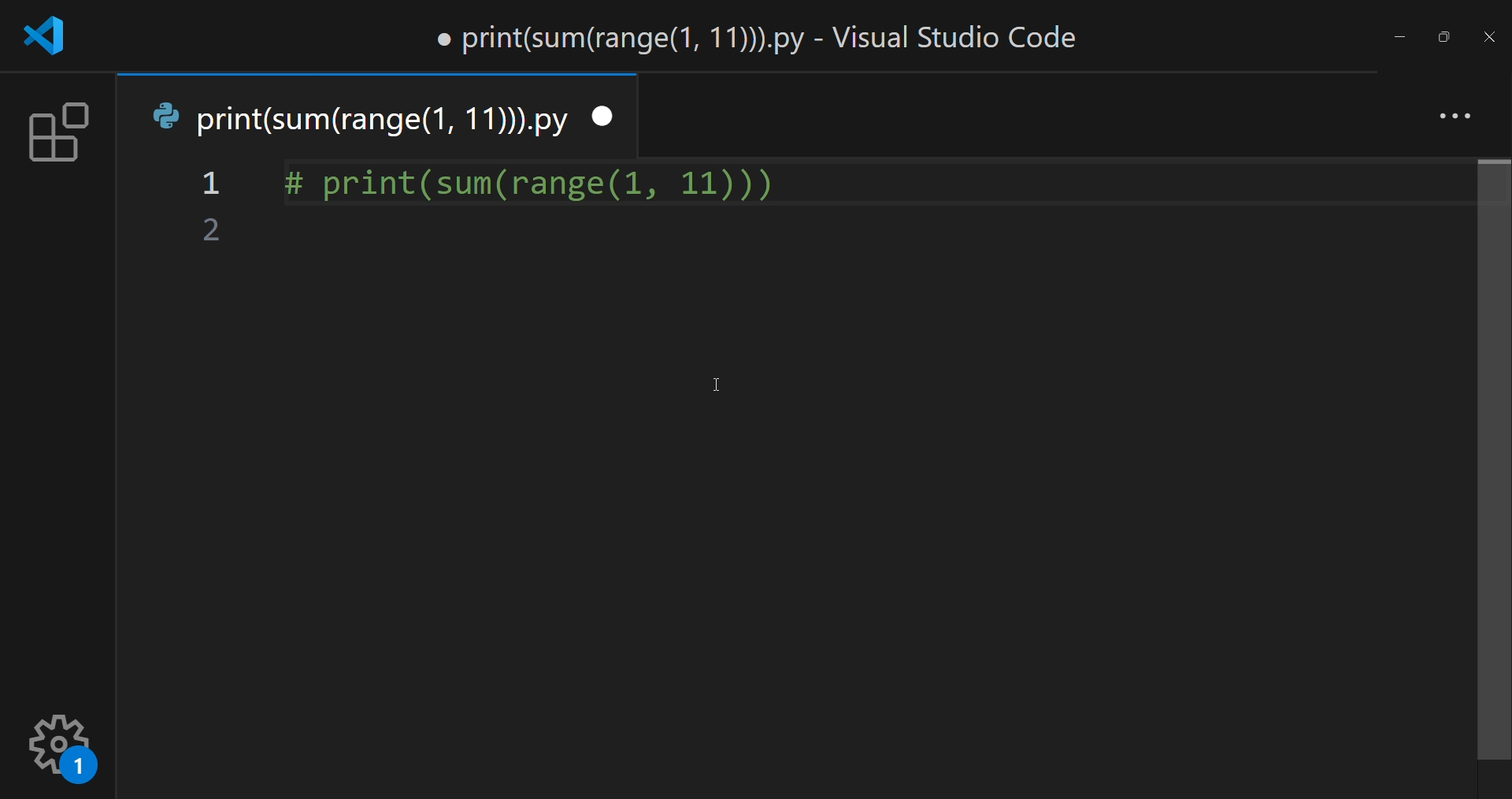  What do you see at coordinates (1440, 33) in the screenshot?
I see `maximize` at bounding box center [1440, 33].